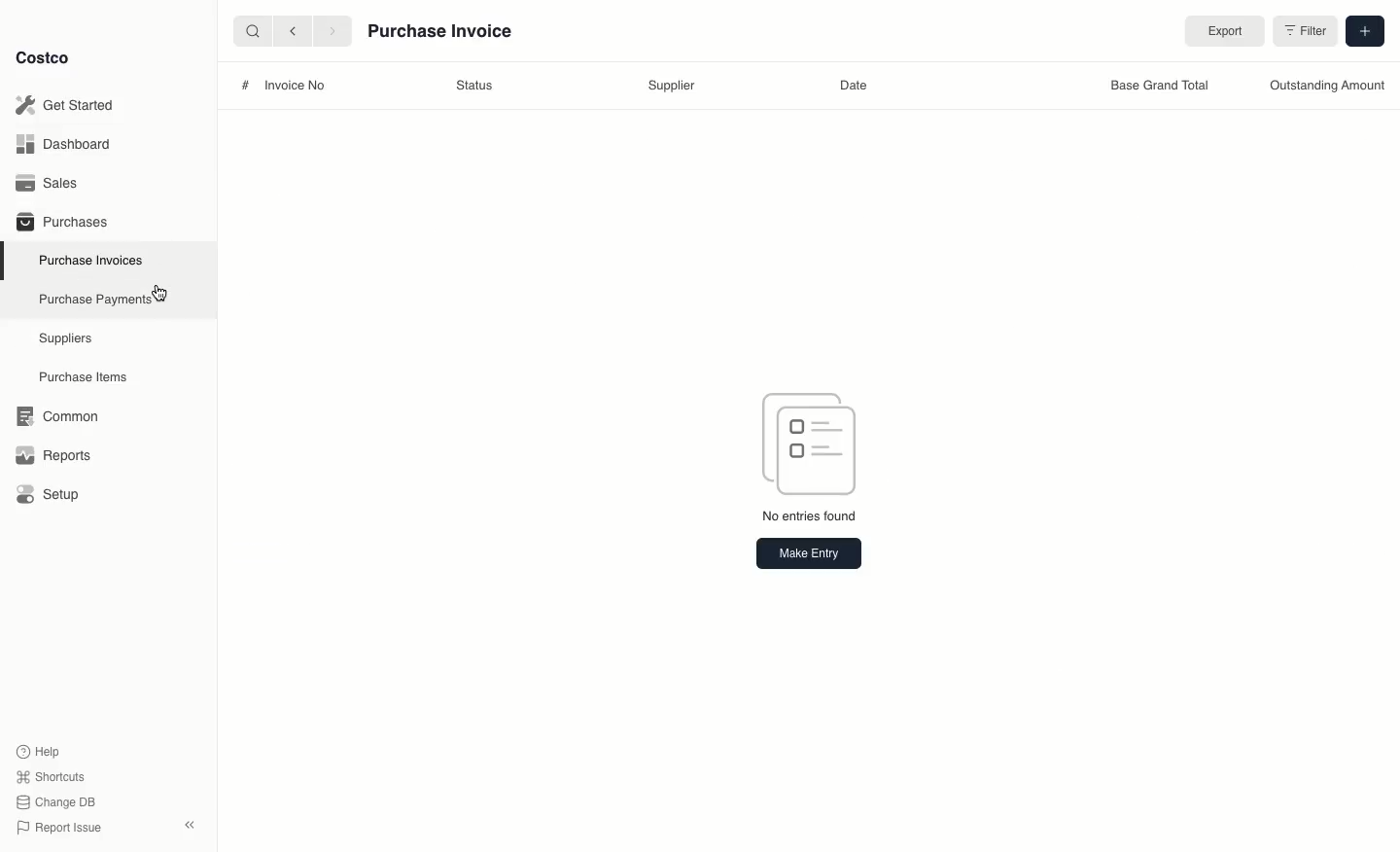 The height and width of the screenshot is (852, 1400). I want to click on Forward, so click(331, 30).